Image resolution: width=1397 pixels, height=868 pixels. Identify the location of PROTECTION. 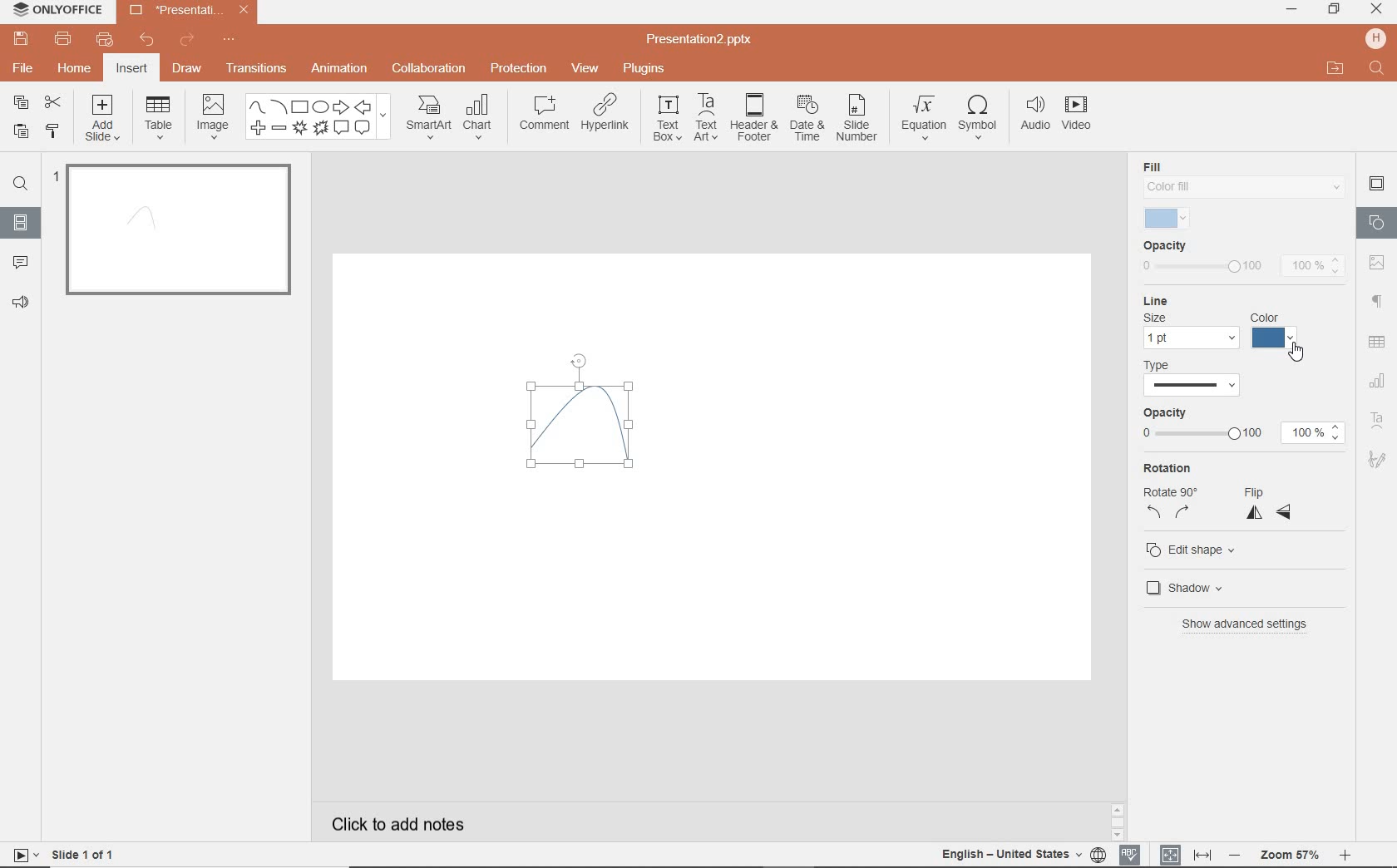
(519, 68).